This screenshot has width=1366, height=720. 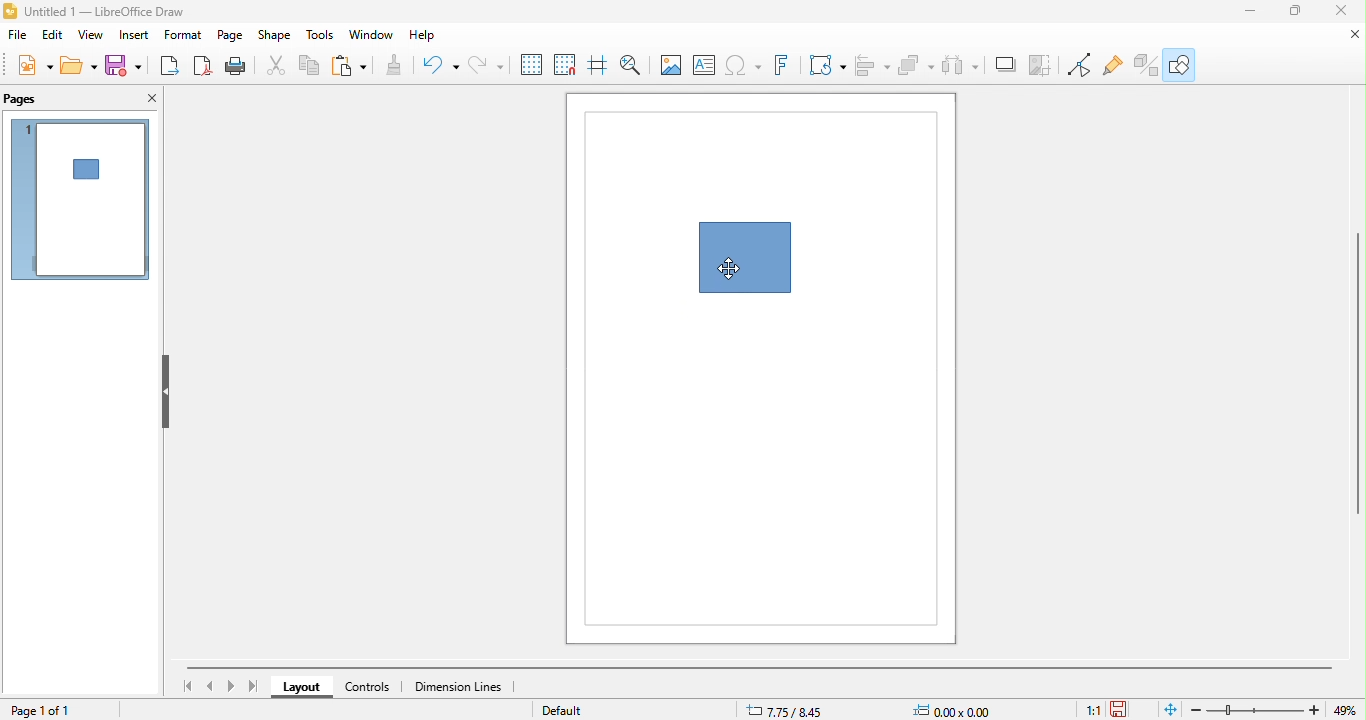 I want to click on maximize, so click(x=1297, y=11).